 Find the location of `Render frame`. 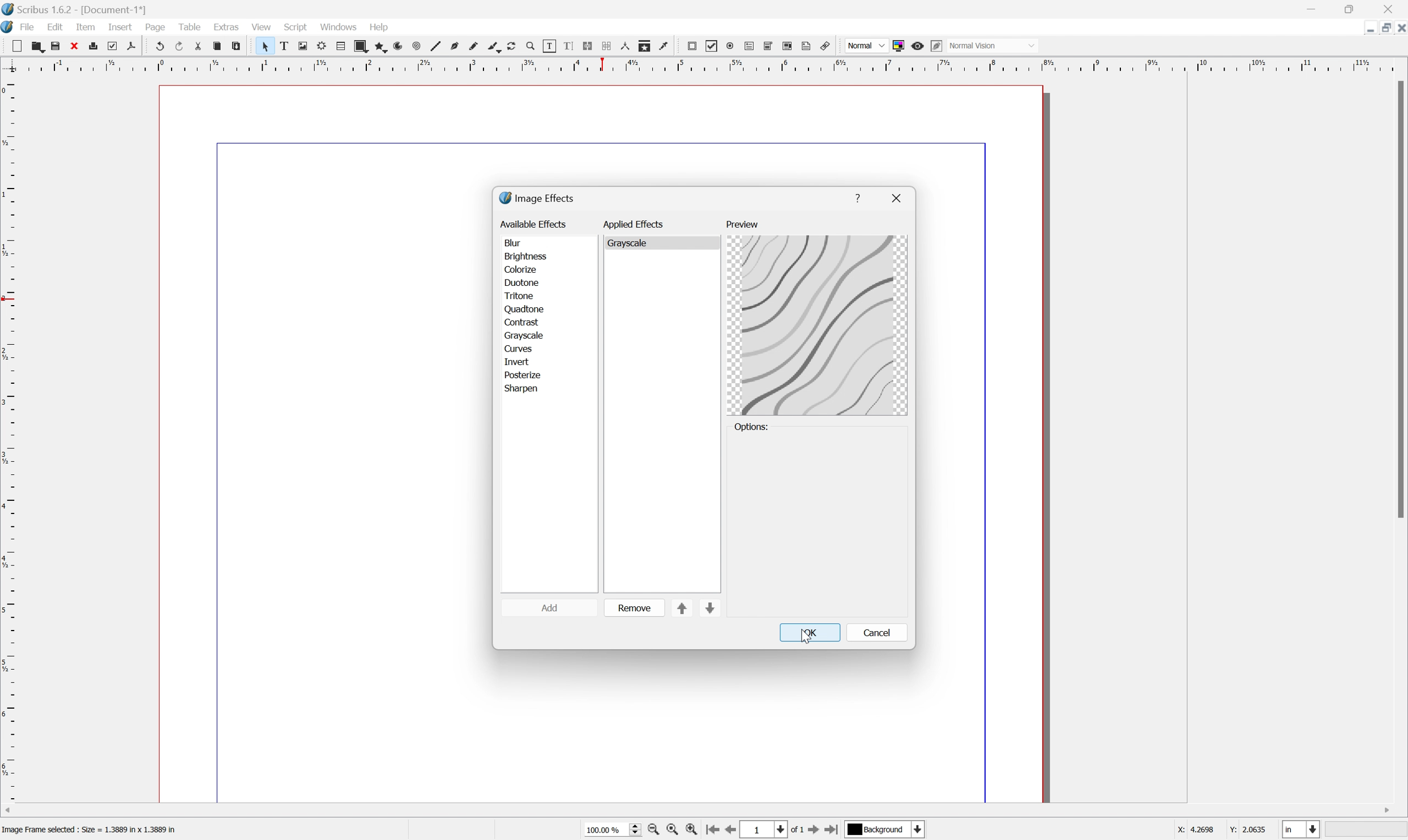

Render frame is located at coordinates (324, 46).